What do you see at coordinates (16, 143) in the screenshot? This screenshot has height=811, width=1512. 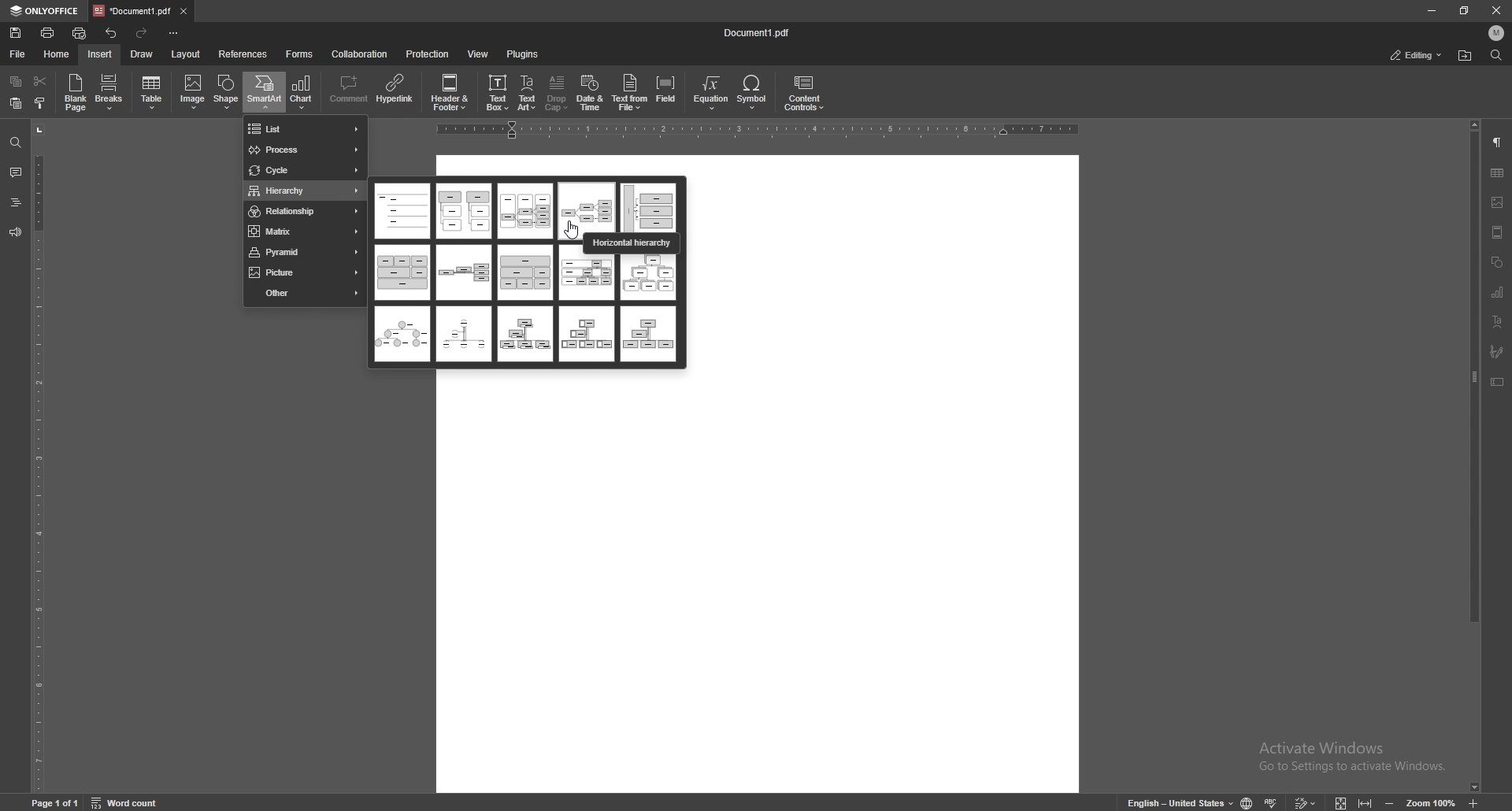 I see `find` at bounding box center [16, 143].